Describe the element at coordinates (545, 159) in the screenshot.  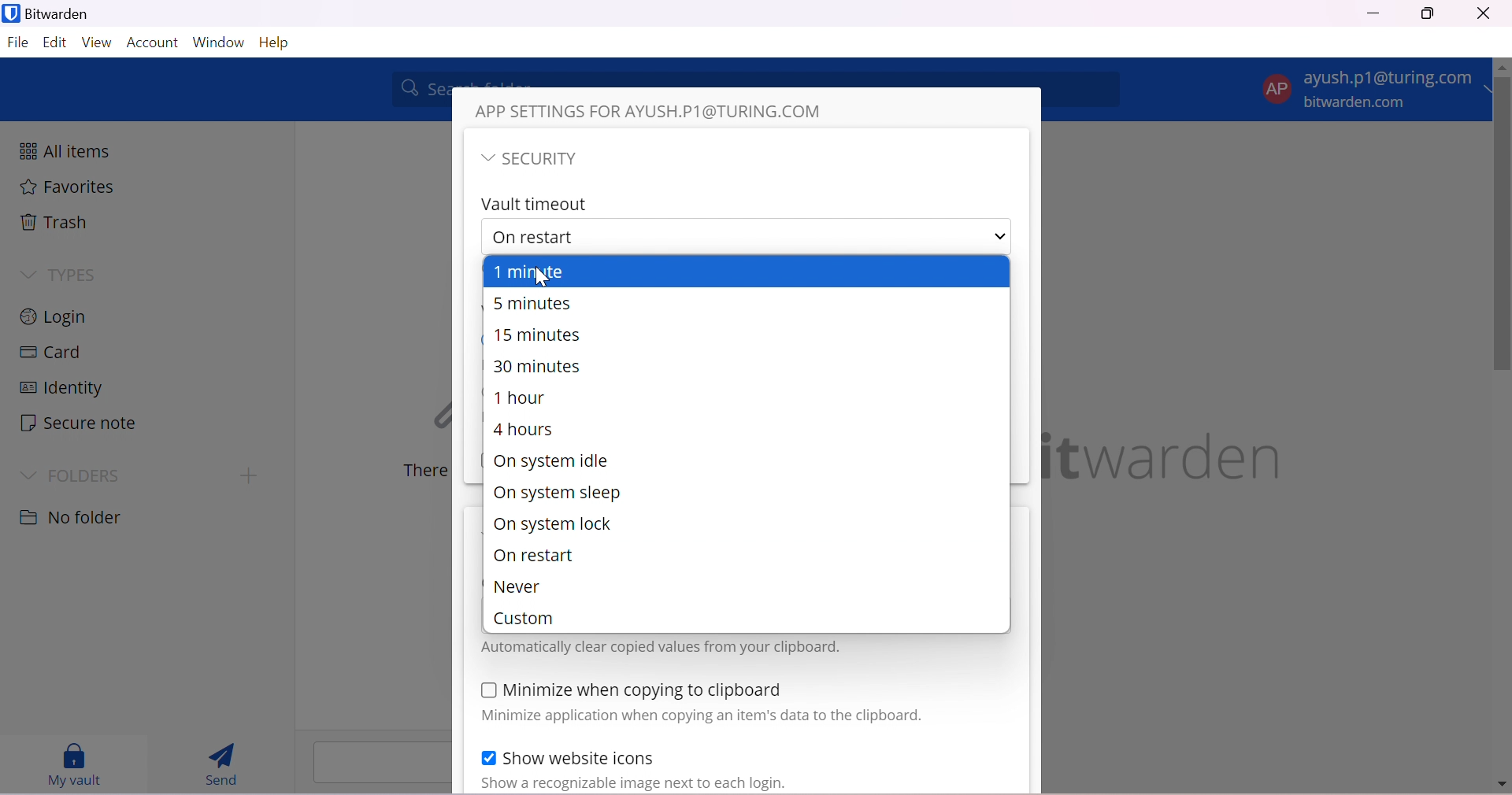
I see `SECURITY` at that location.